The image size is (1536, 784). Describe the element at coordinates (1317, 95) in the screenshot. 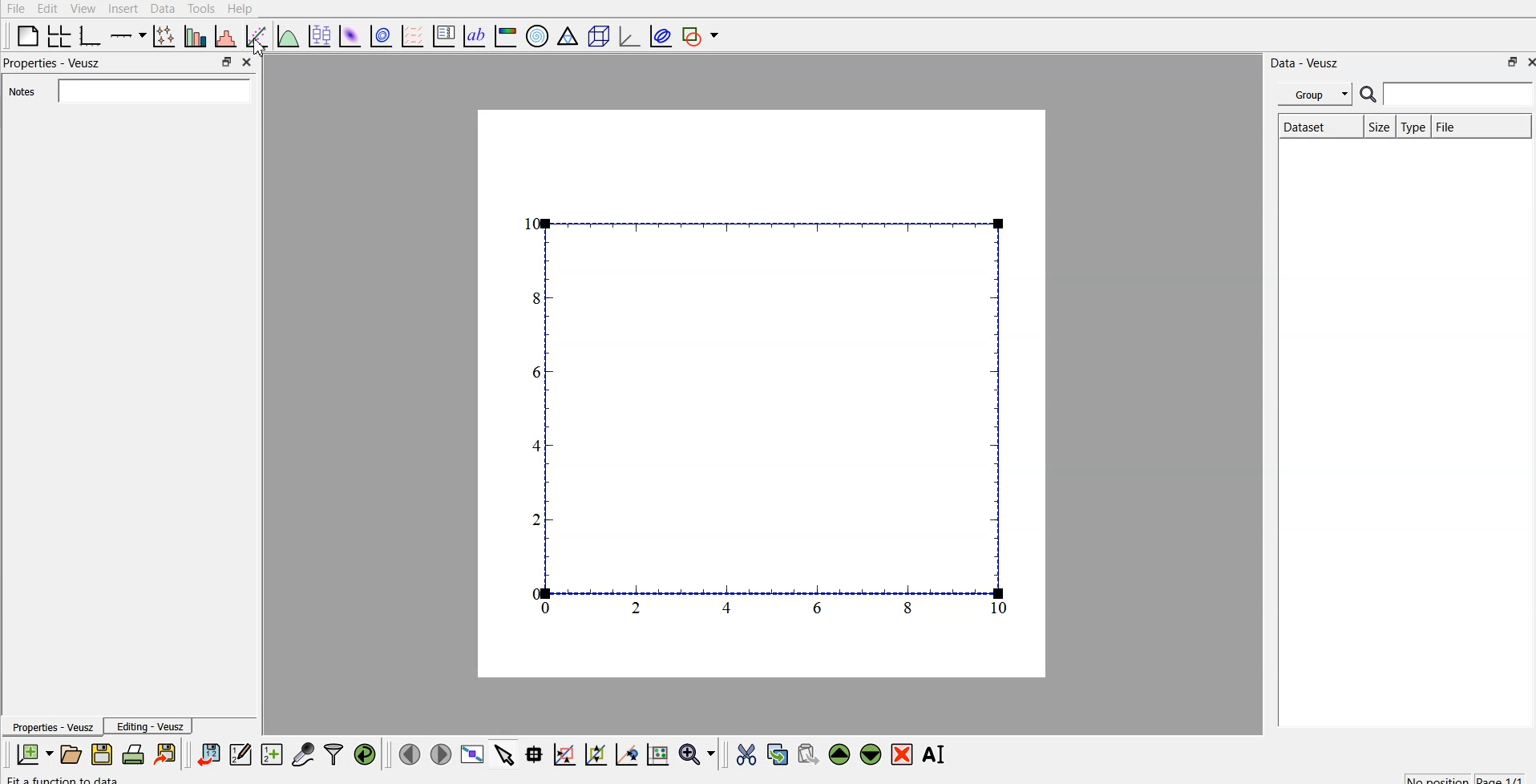

I see `group` at that location.